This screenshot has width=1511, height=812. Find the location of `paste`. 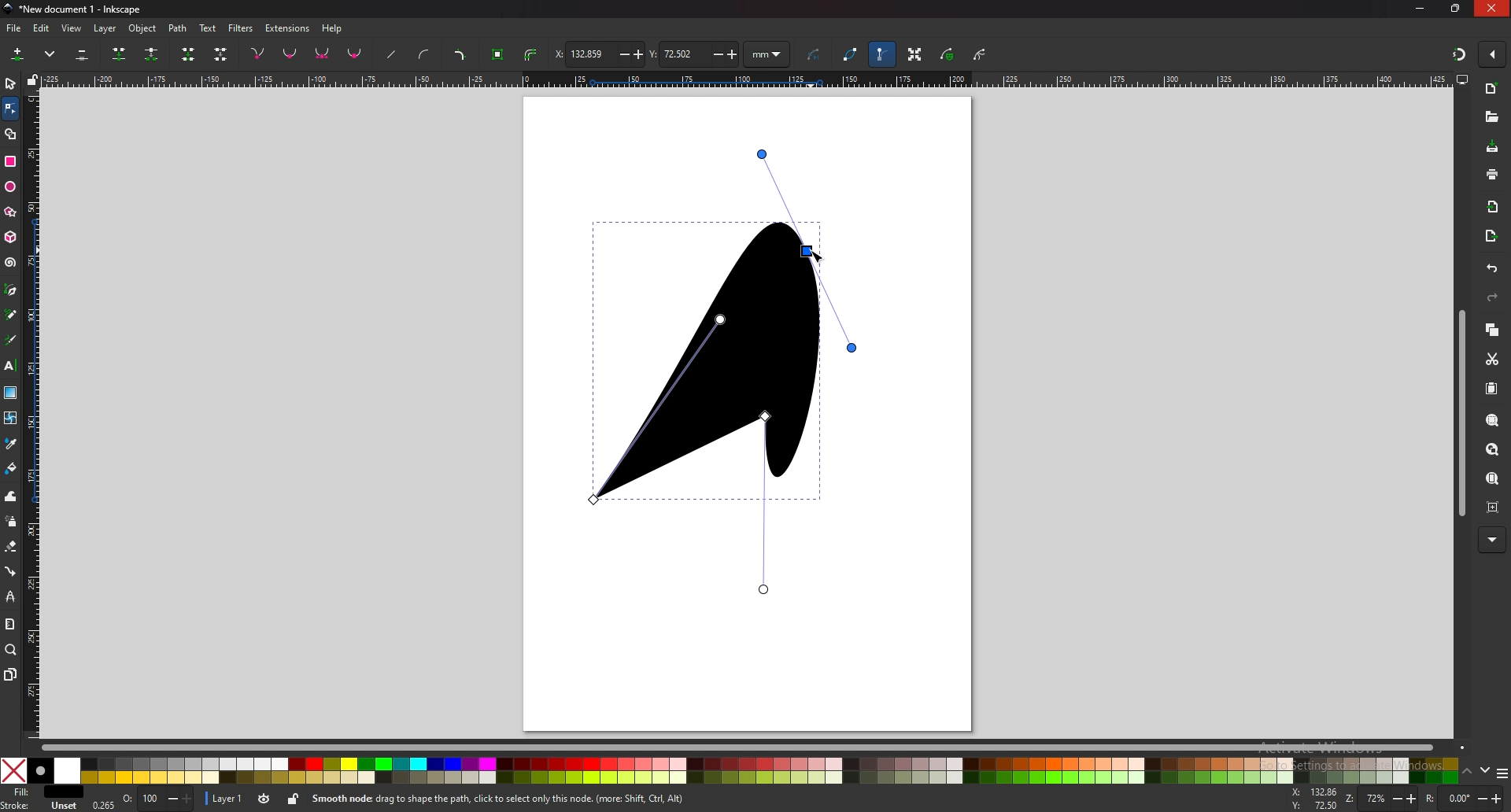

paste is located at coordinates (1492, 389).